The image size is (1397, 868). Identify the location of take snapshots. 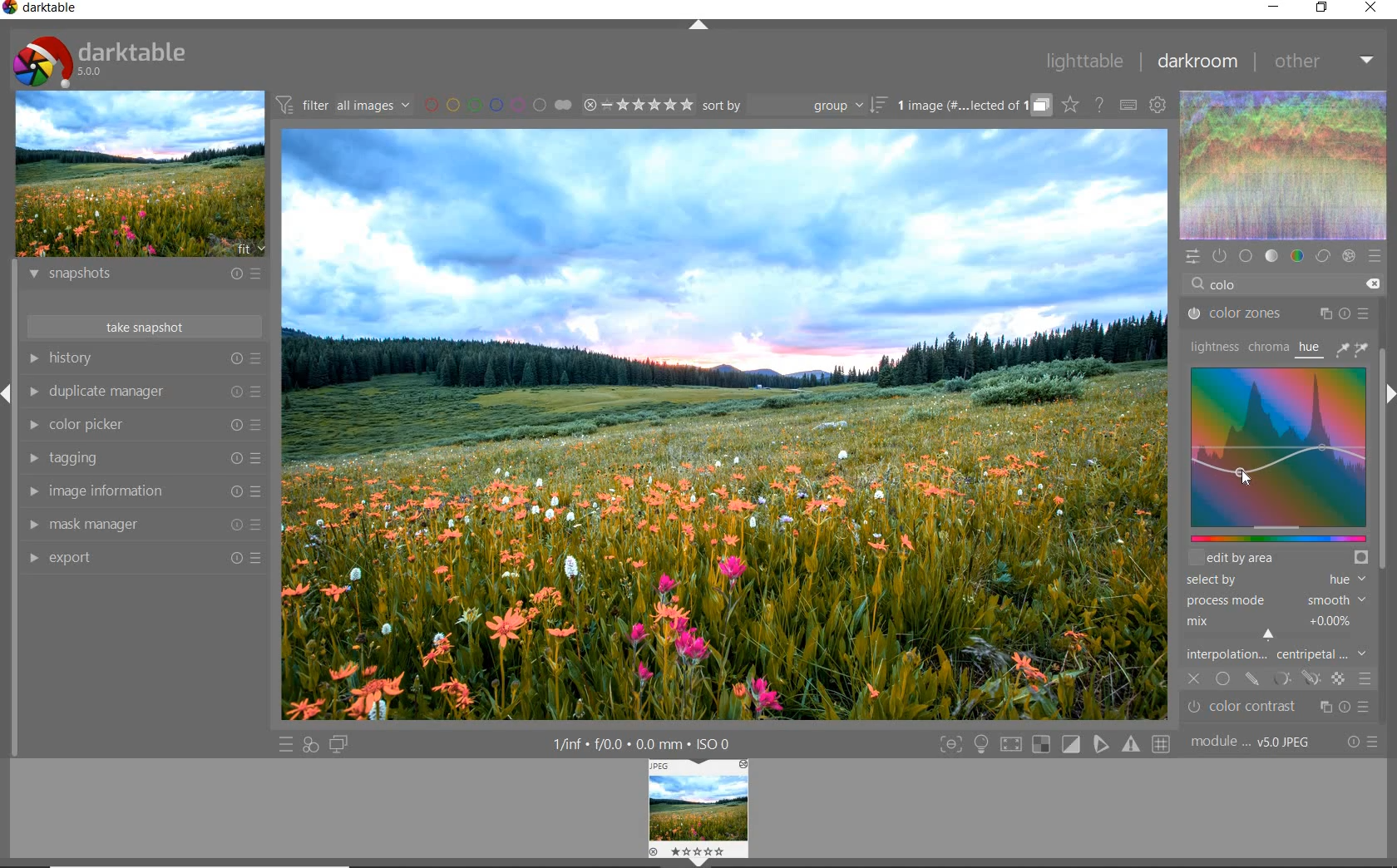
(142, 326).